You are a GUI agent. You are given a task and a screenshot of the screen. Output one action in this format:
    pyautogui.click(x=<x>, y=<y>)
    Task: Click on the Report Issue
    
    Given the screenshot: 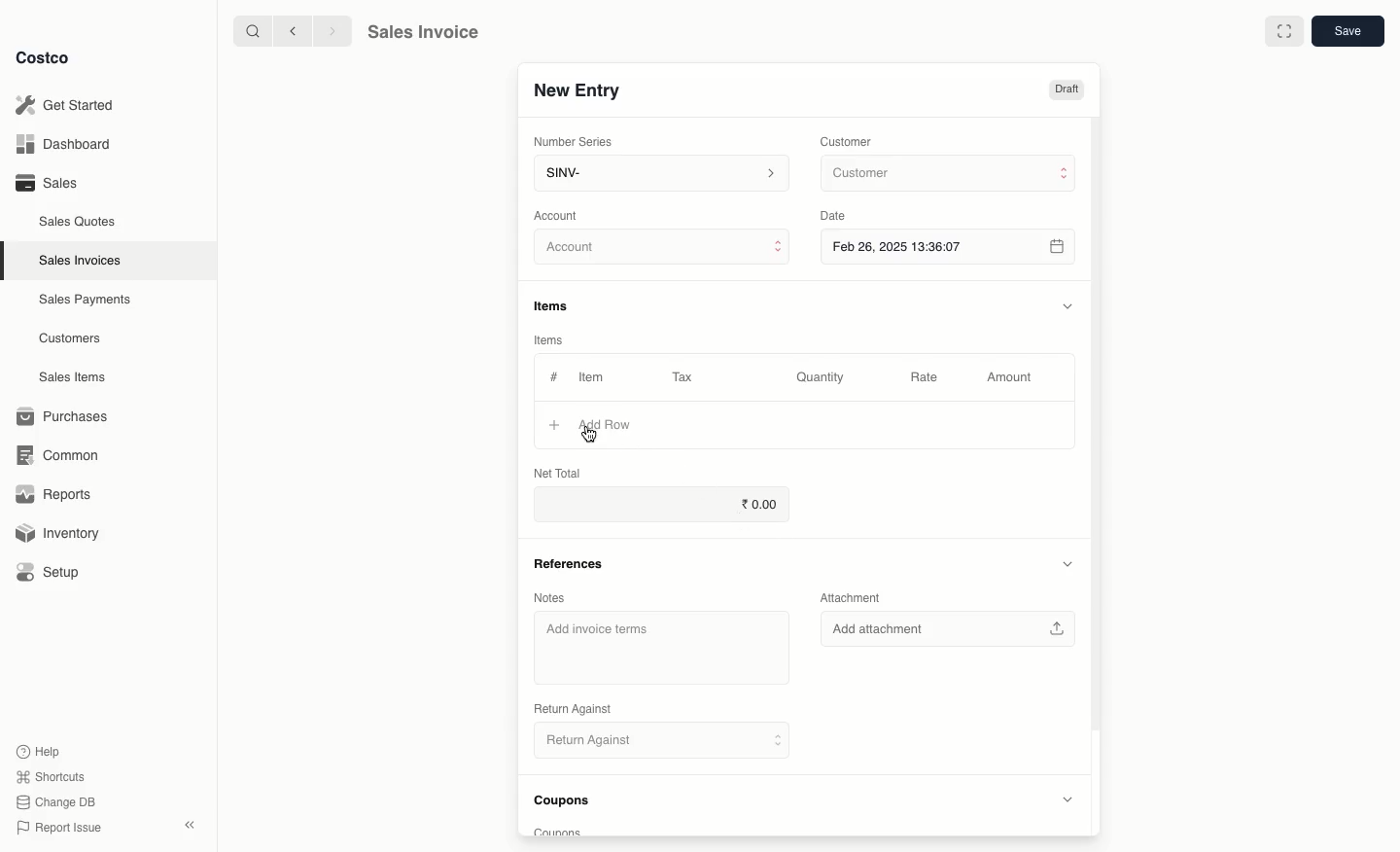 What is the action you would take?
    pyautogui.click(x=55, y=828)
    